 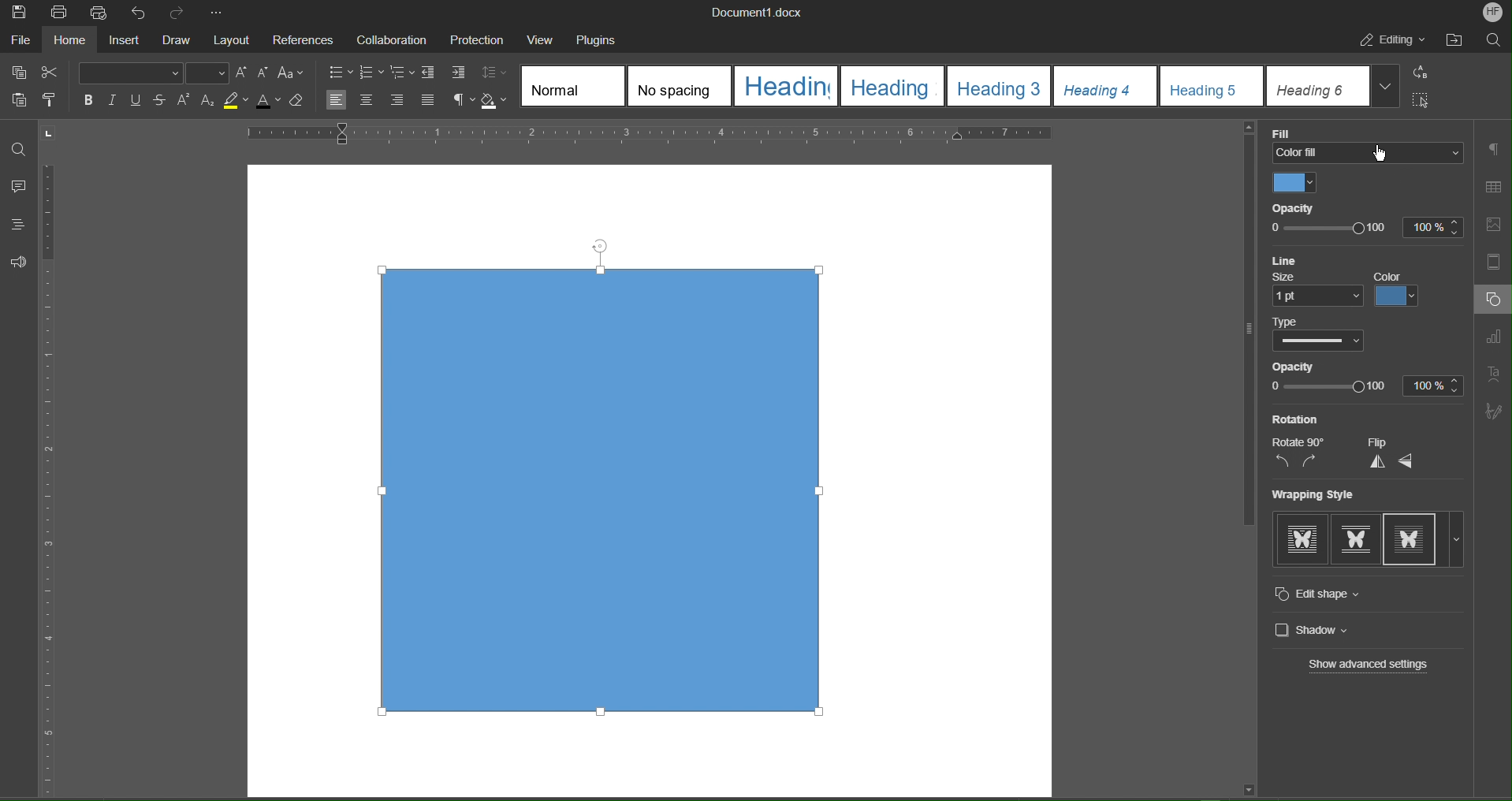 What do you see at coordinates (1309, 275) in the screenshot?
I see `Size` at bounding box center [1309, 275].